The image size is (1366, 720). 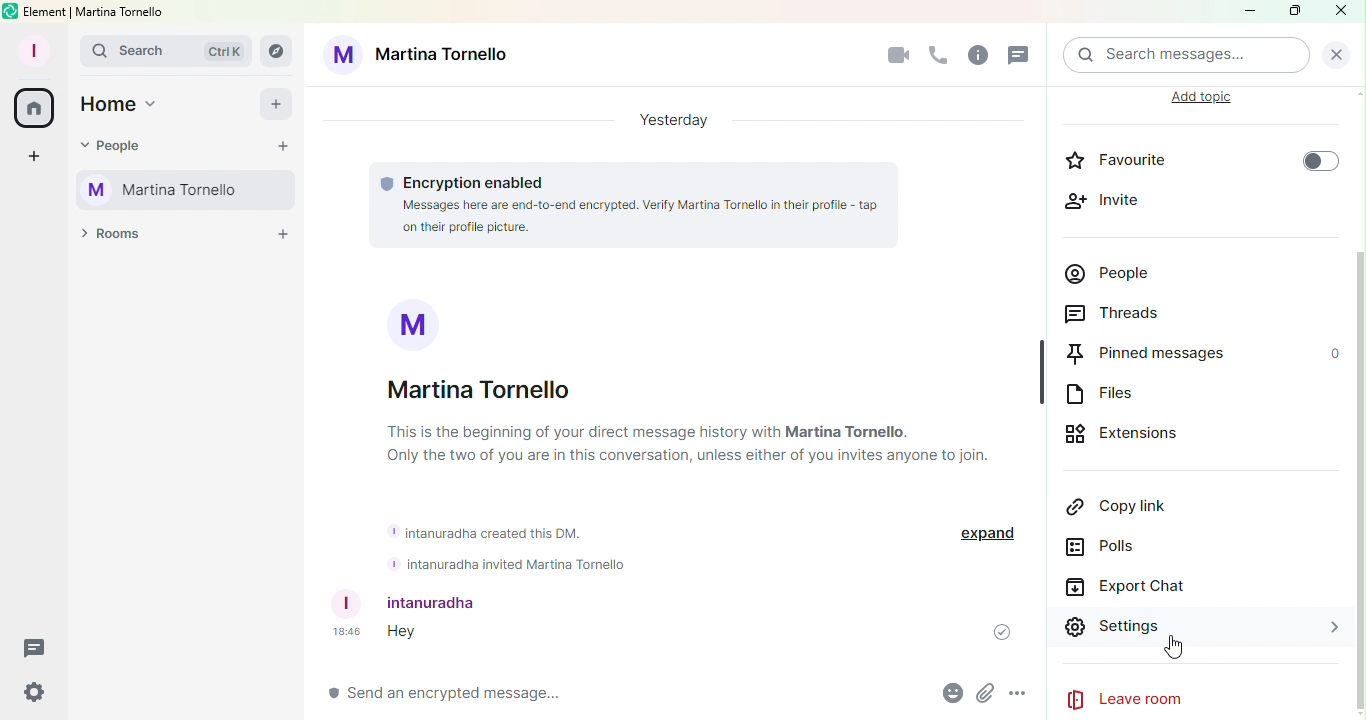 I want to click on Polls, so click(x=1183, y=547).